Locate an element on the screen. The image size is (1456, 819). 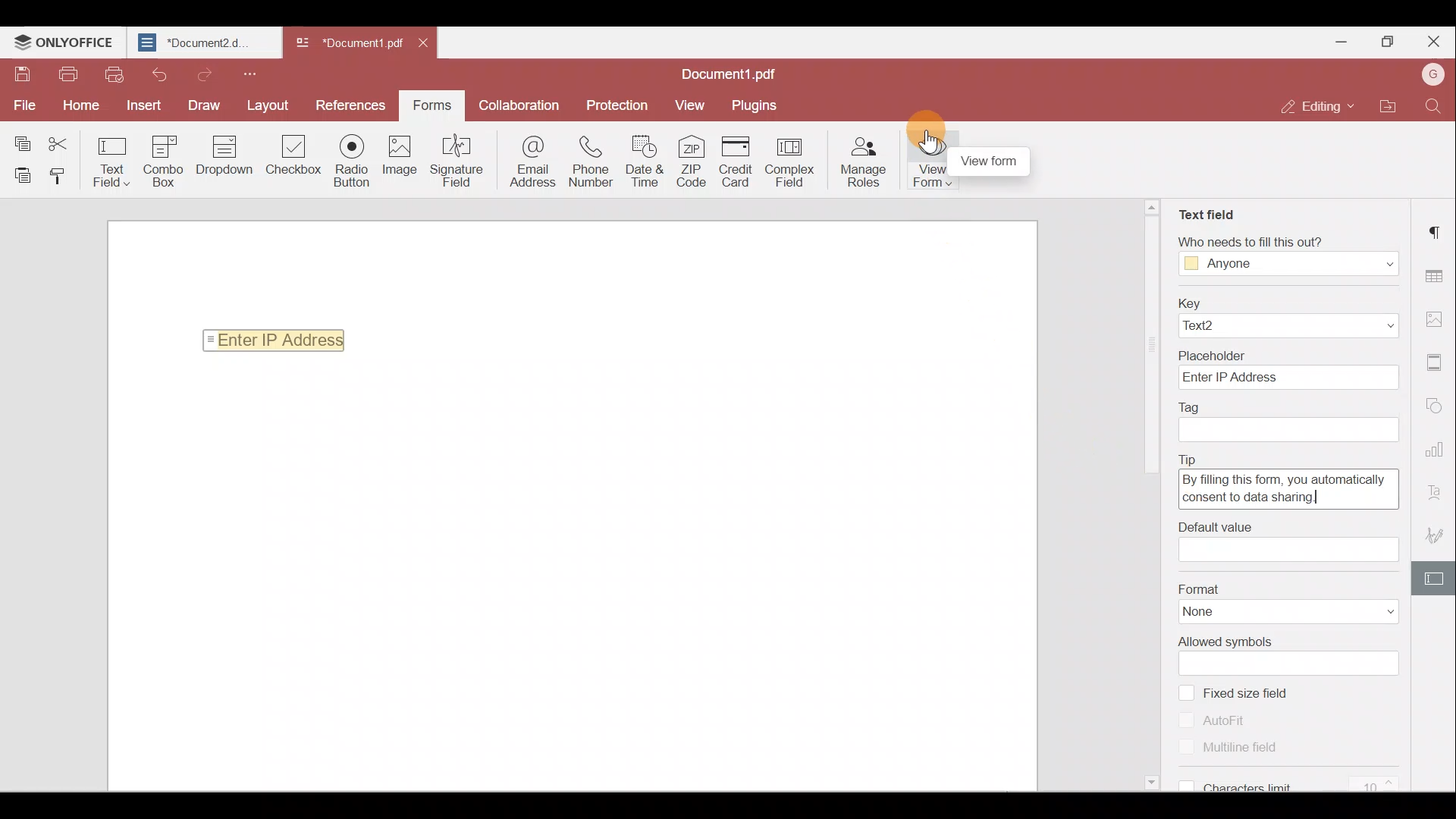
File is located at coordinates (23, 104).